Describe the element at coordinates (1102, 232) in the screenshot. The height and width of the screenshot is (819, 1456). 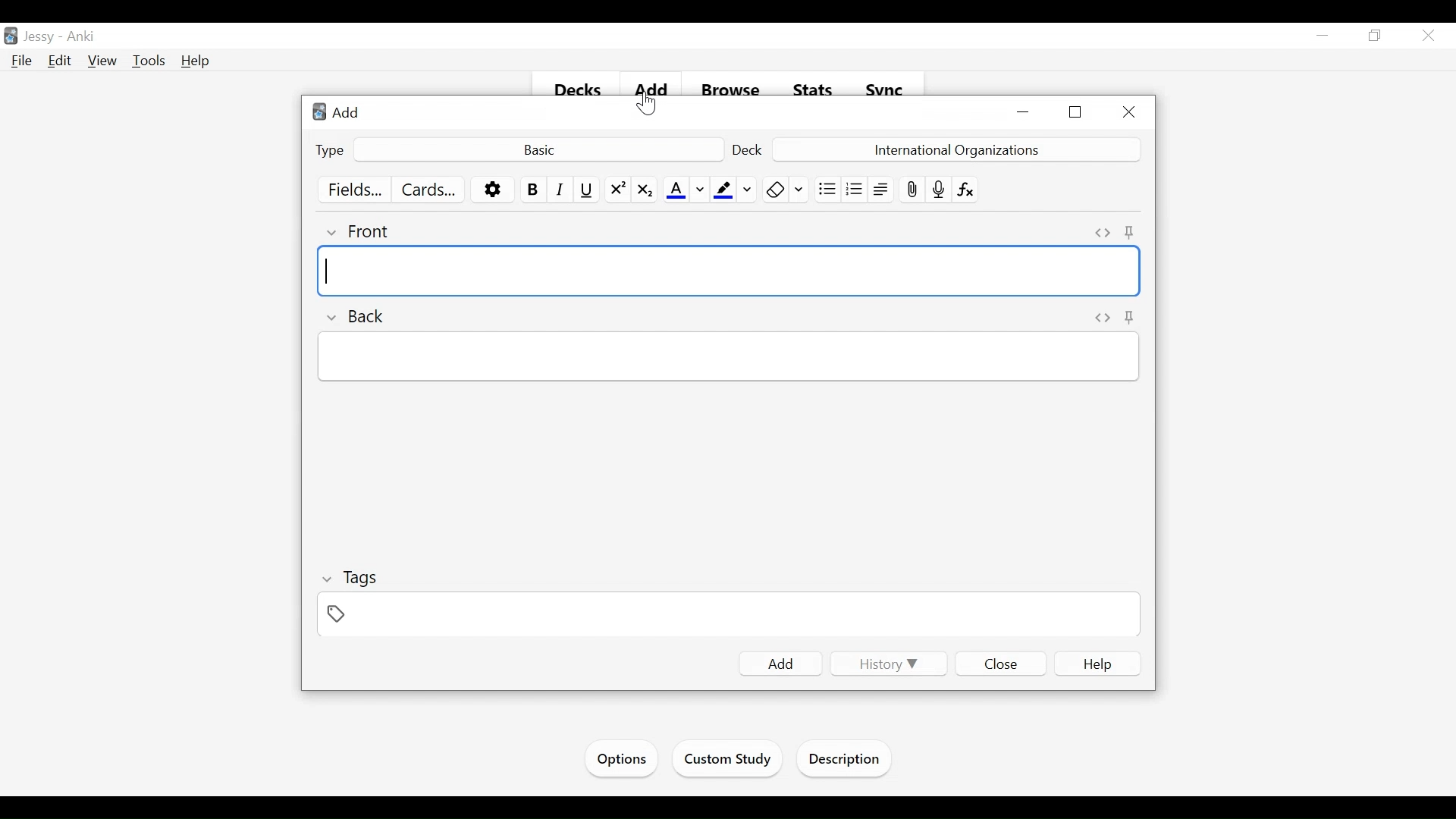
I see `Toggle HTML` at that location.